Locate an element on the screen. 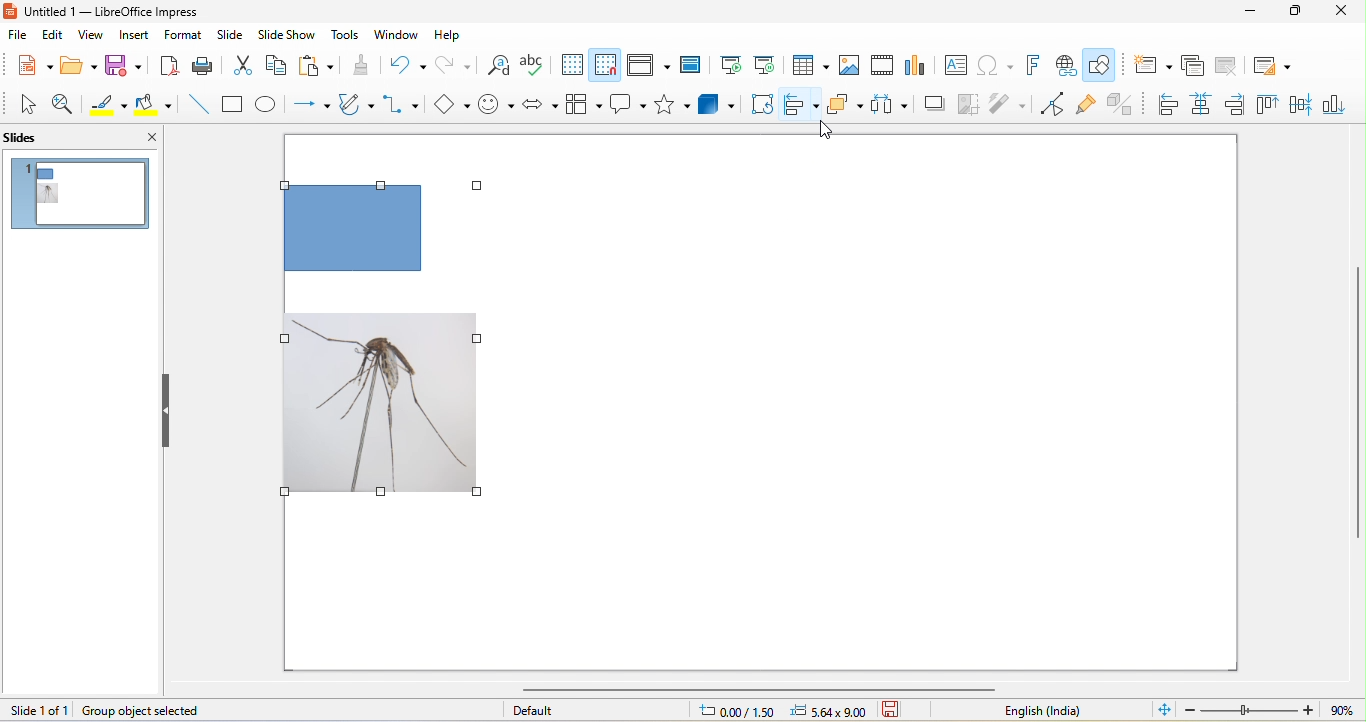  slide is located at coordinates (234, 36).